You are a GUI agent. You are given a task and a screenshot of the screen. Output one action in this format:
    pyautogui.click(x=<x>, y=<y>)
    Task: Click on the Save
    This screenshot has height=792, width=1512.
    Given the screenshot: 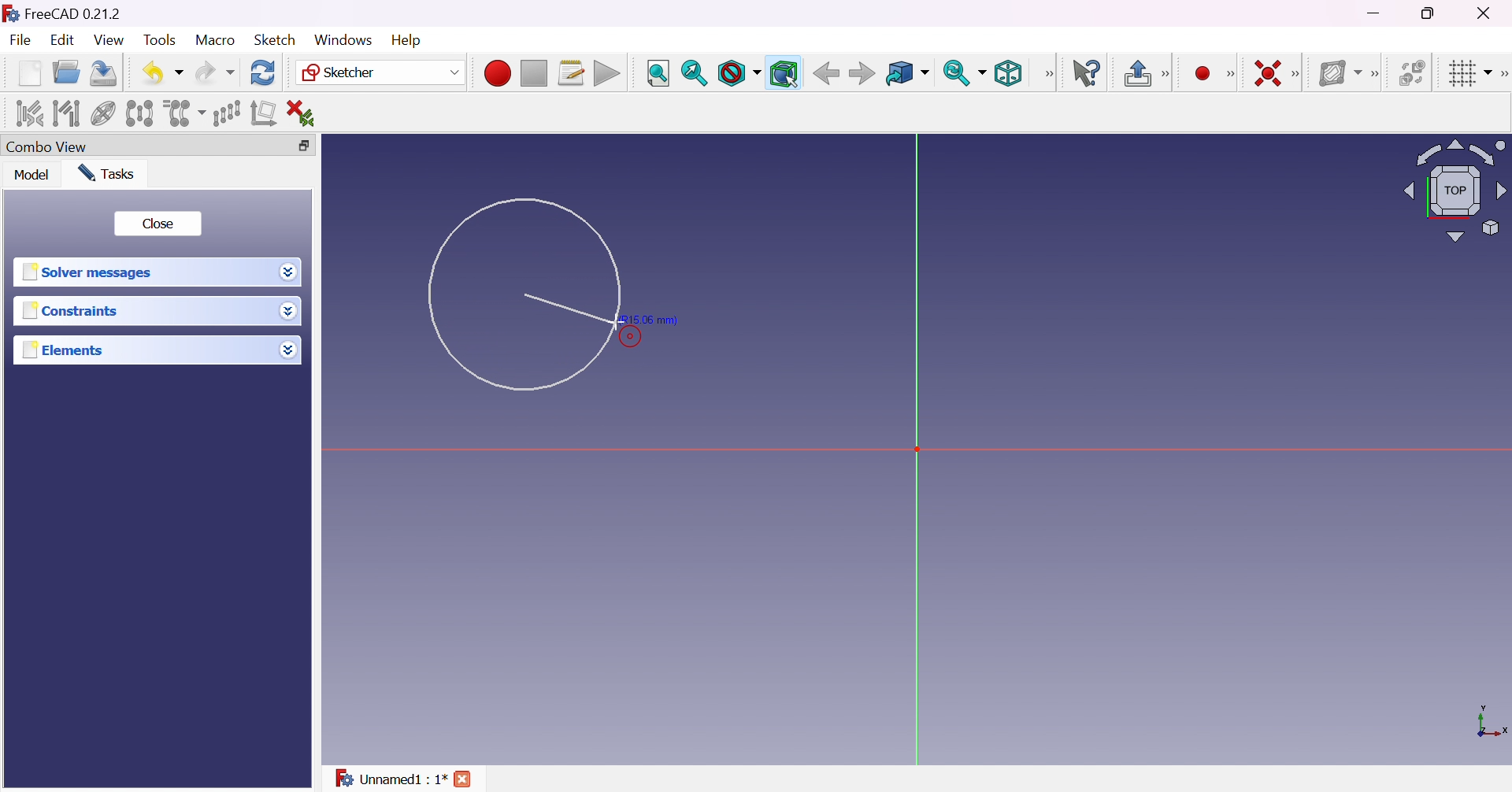 What is the action you would take?
    pyautogui.click(x=101, y=72)
    